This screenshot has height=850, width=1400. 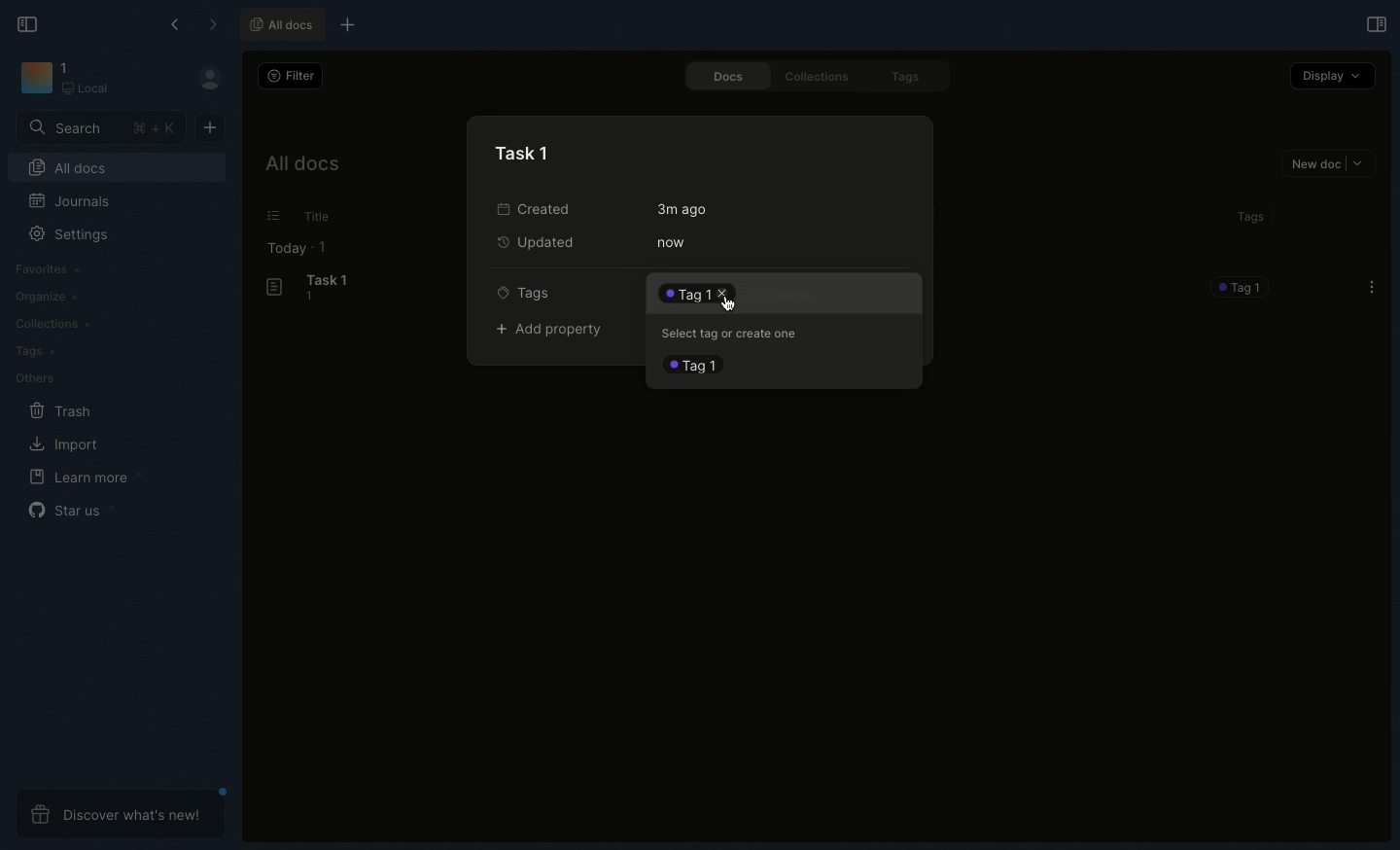 What do you see at coordinates (671, 242) in the screenshot?
I see `now` at bounding box center [671, 242].